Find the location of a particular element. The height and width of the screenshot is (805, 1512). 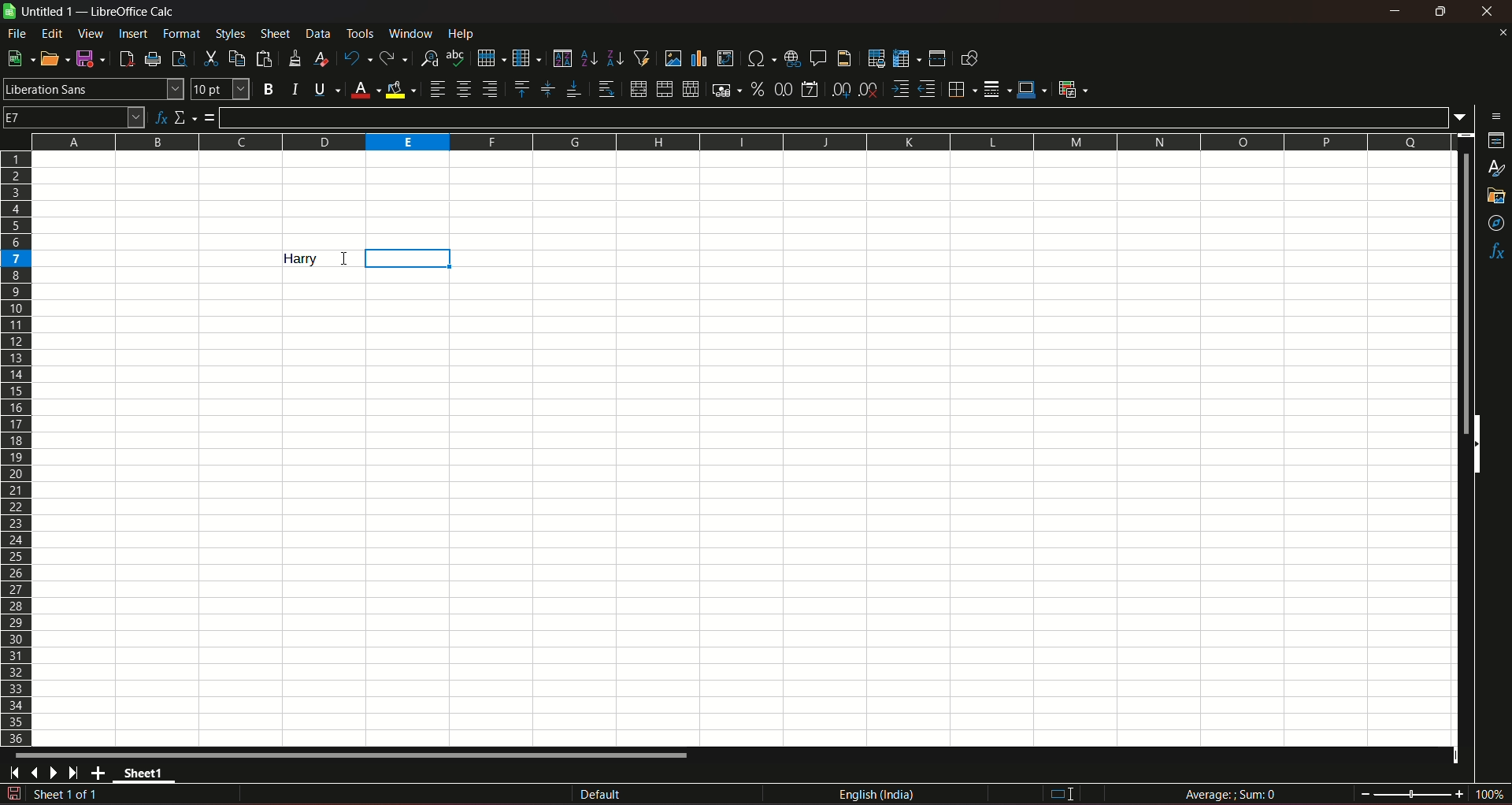

delete decimal place is located at coordinates (868, 91).